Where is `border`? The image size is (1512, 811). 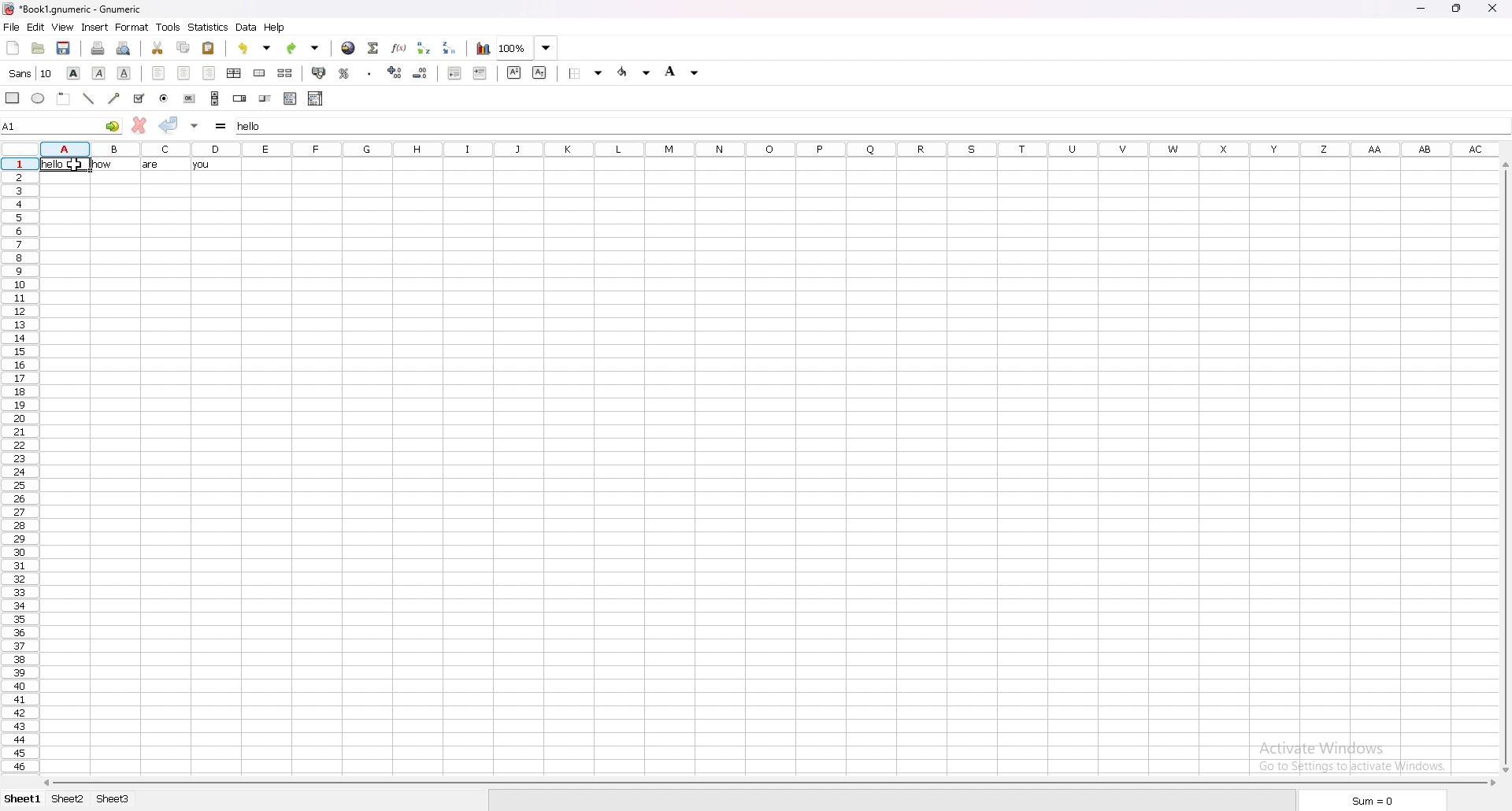 border is located at coordinates (586, 73).